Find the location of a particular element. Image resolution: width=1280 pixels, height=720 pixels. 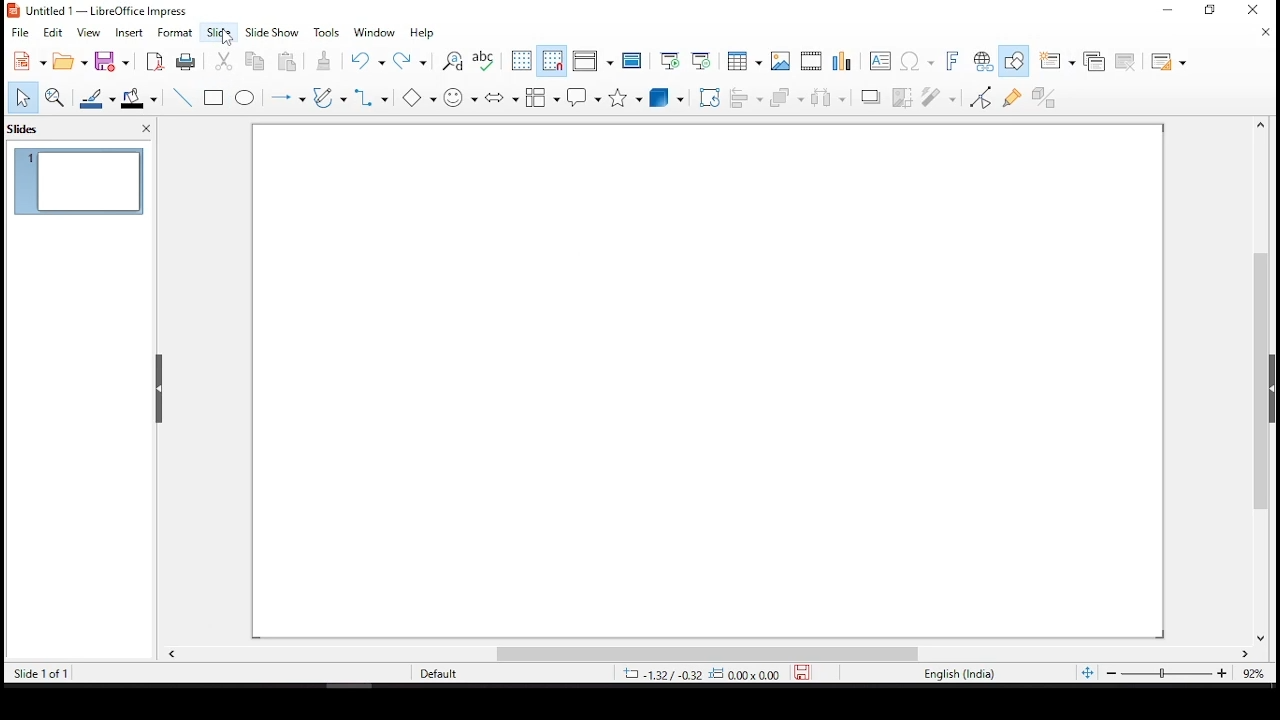

copy is located at coordinates (254, 61).